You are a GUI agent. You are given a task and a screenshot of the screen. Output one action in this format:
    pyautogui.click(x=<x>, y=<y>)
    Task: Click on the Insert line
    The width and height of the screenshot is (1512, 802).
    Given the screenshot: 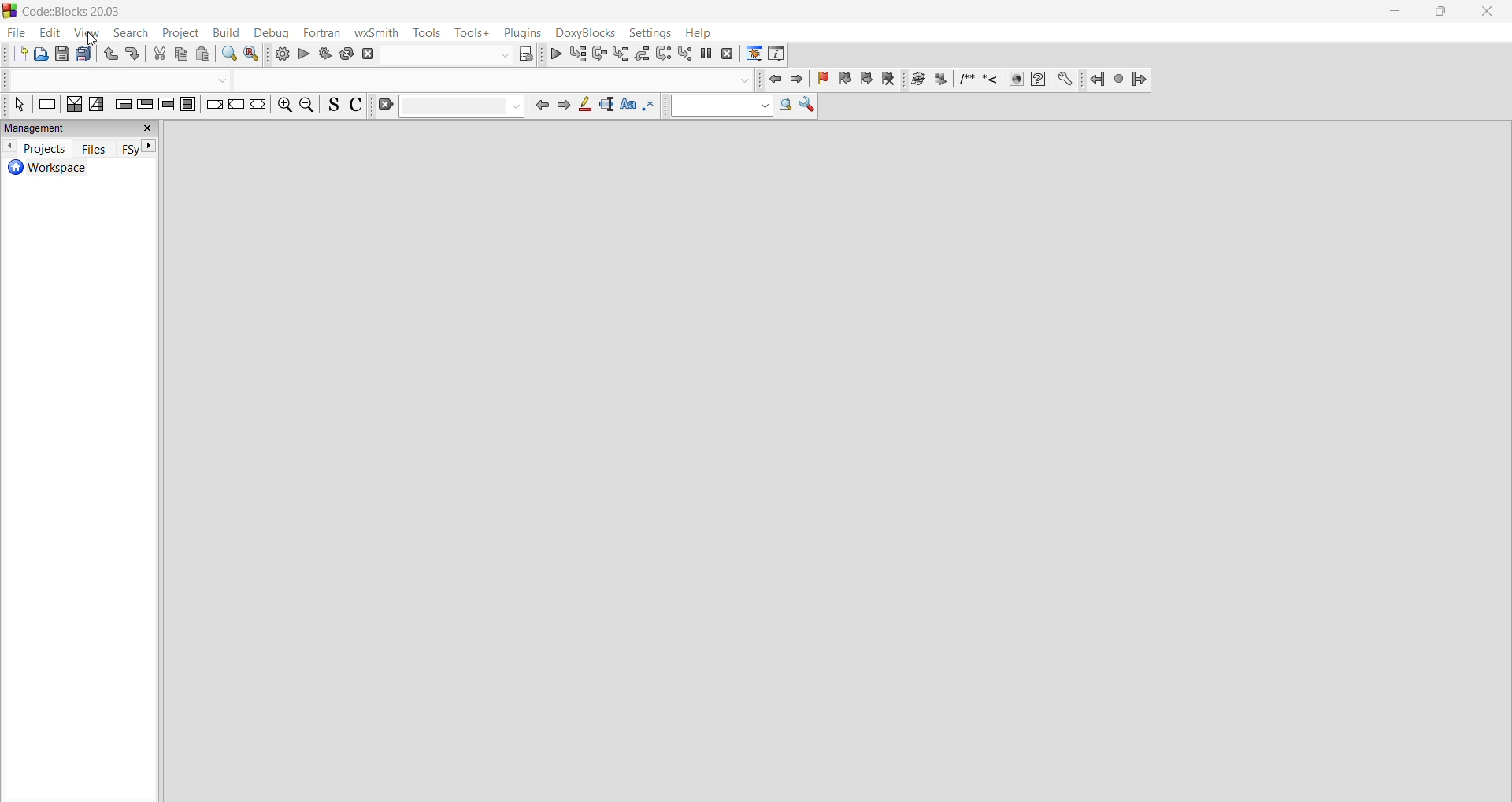 What is the action you would take?
    pyautogui.click(x=991, y=81)
    